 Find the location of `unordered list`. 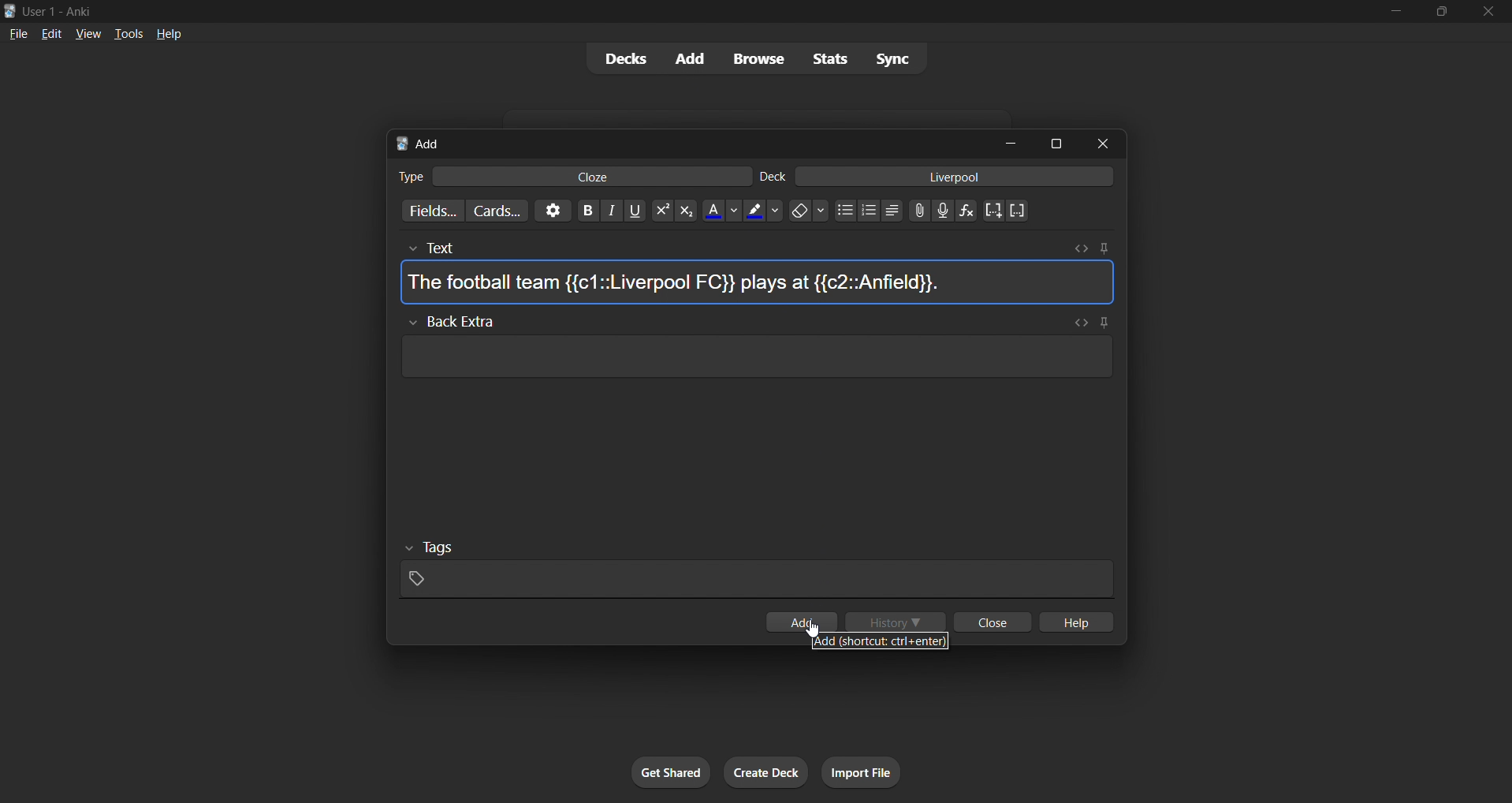

unordered list is located at coordinates (848, 213).